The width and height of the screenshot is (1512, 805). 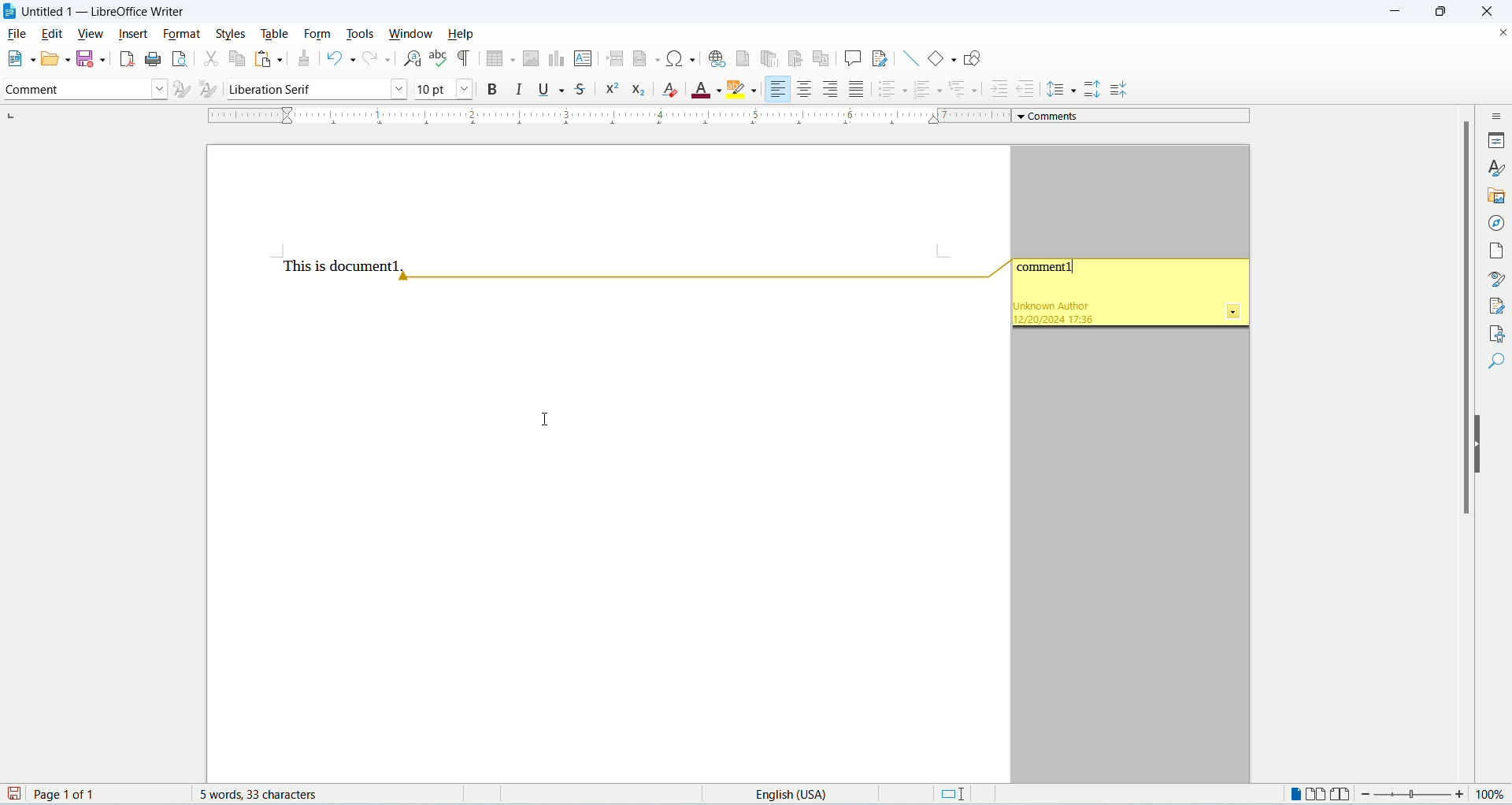 What do you see at coordinates (1232, 311) in the screenshot?
I see `dropdown` at bounding box center [1232, 311].